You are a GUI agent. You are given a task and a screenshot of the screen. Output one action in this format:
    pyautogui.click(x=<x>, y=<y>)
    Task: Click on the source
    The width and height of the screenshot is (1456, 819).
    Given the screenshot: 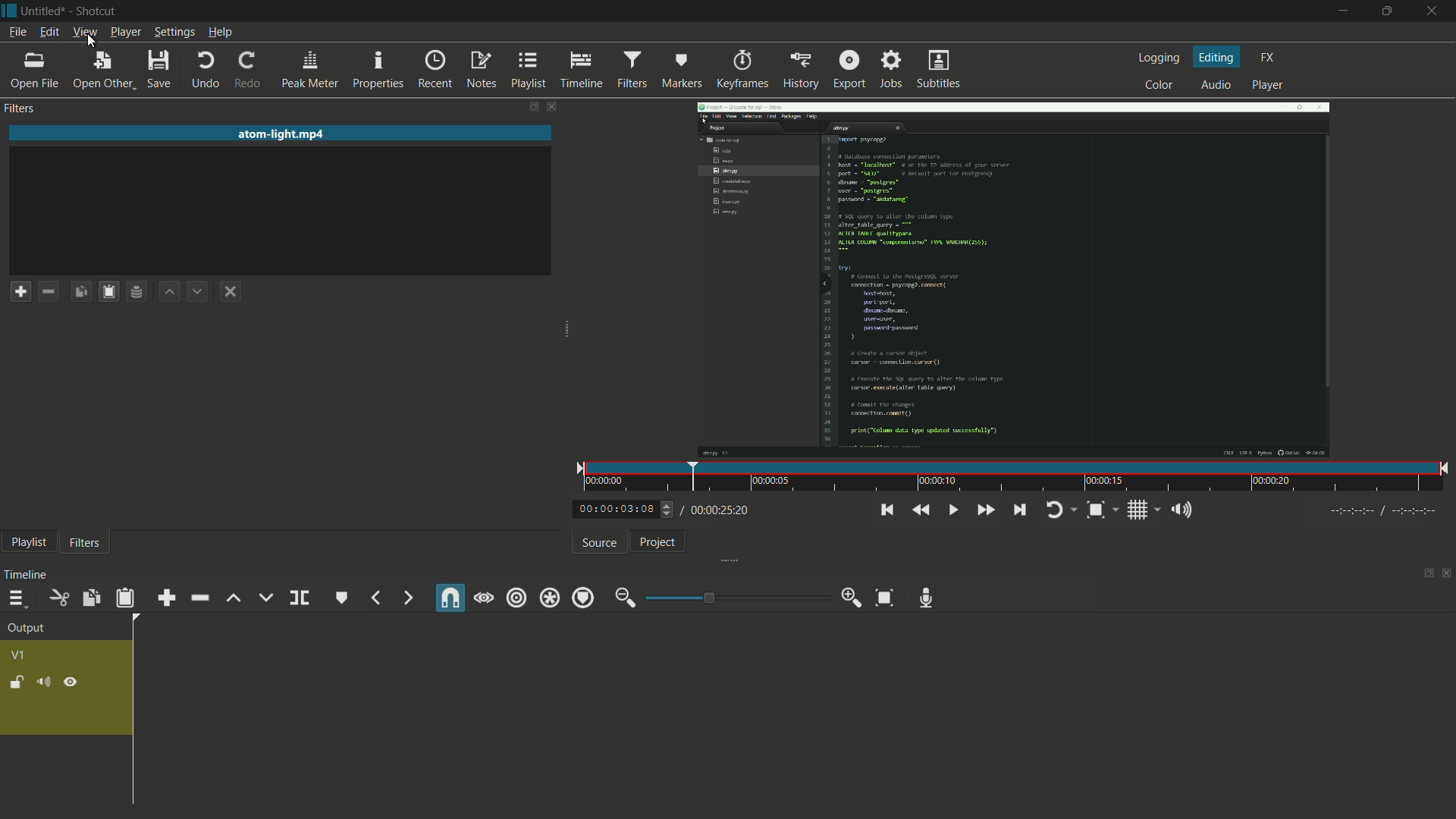 What is the action you would take?
    pyautogui.click(x=600, y=544)
    